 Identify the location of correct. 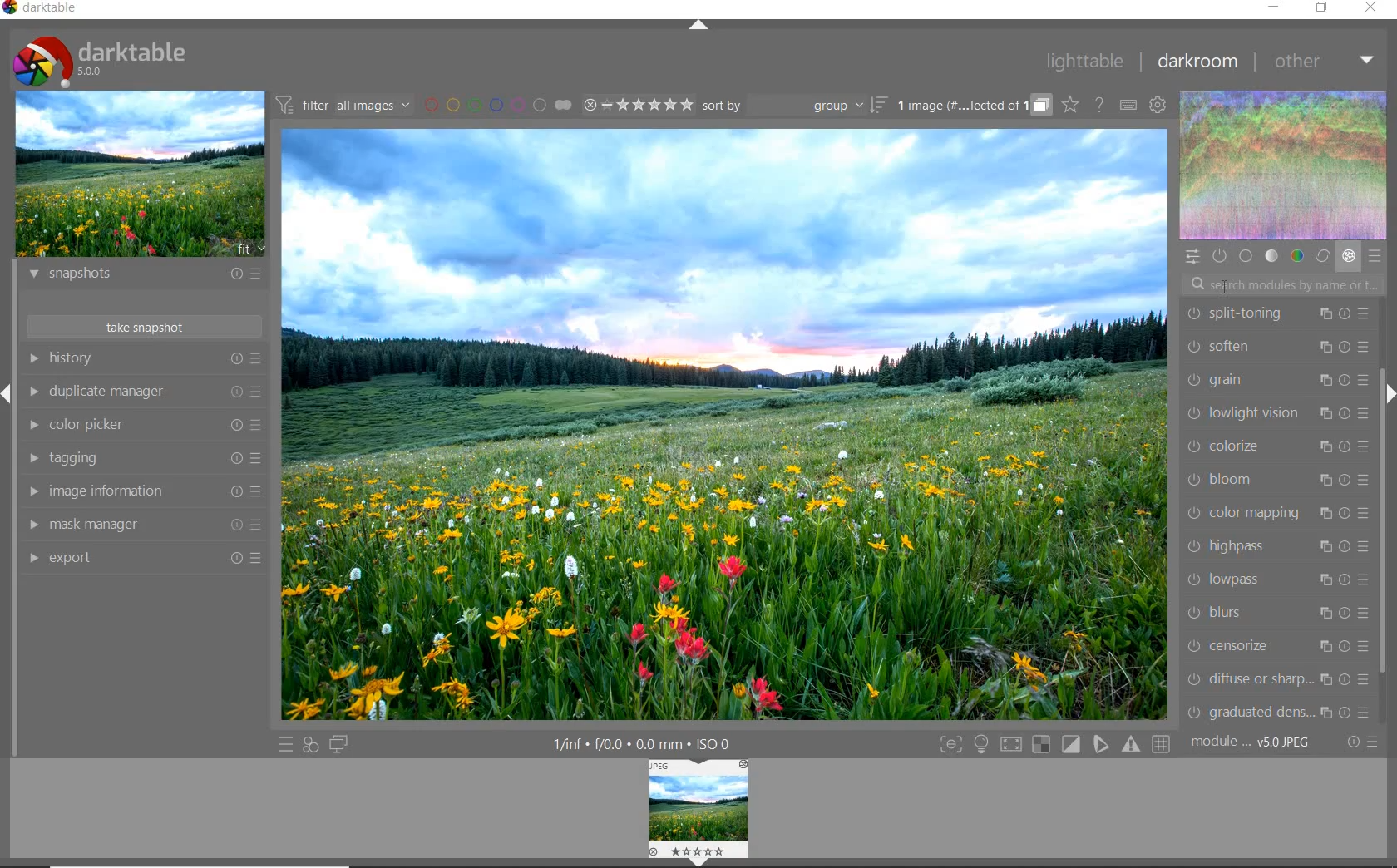
(1322, 255).